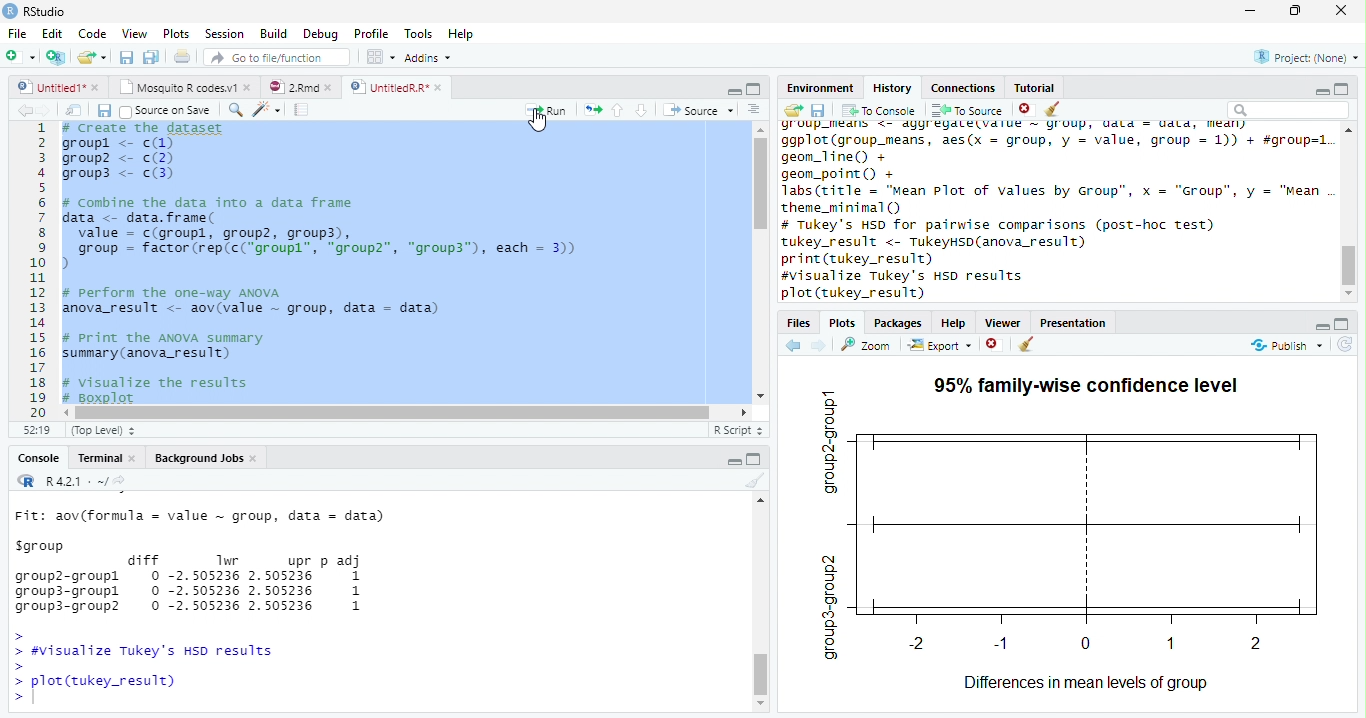  Describe the element at coordinates (1322, 328) in the screenshot. I see `Minimize` at that location.